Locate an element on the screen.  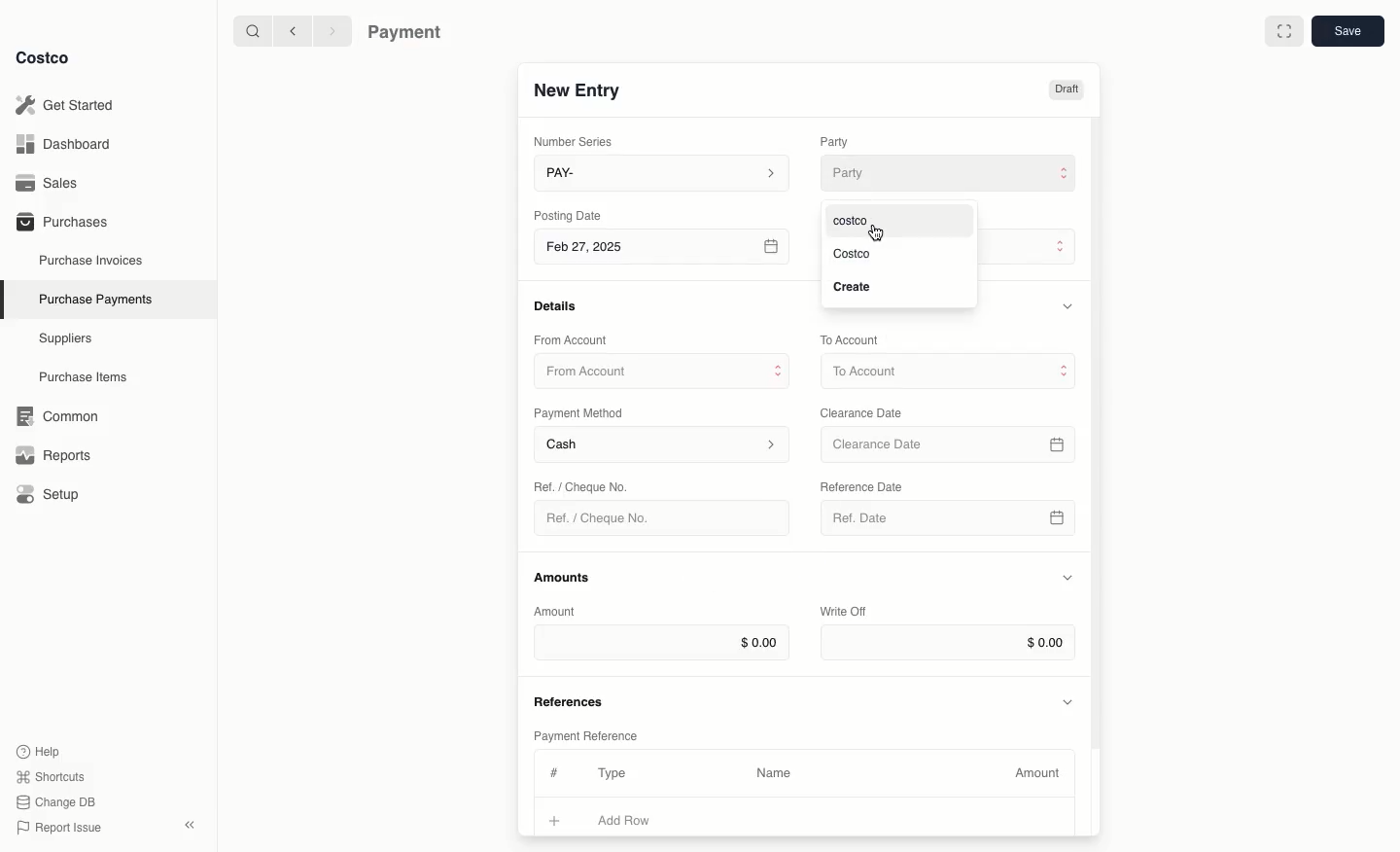
Ref. / Cheque No. is located at coordinates (606, 518).